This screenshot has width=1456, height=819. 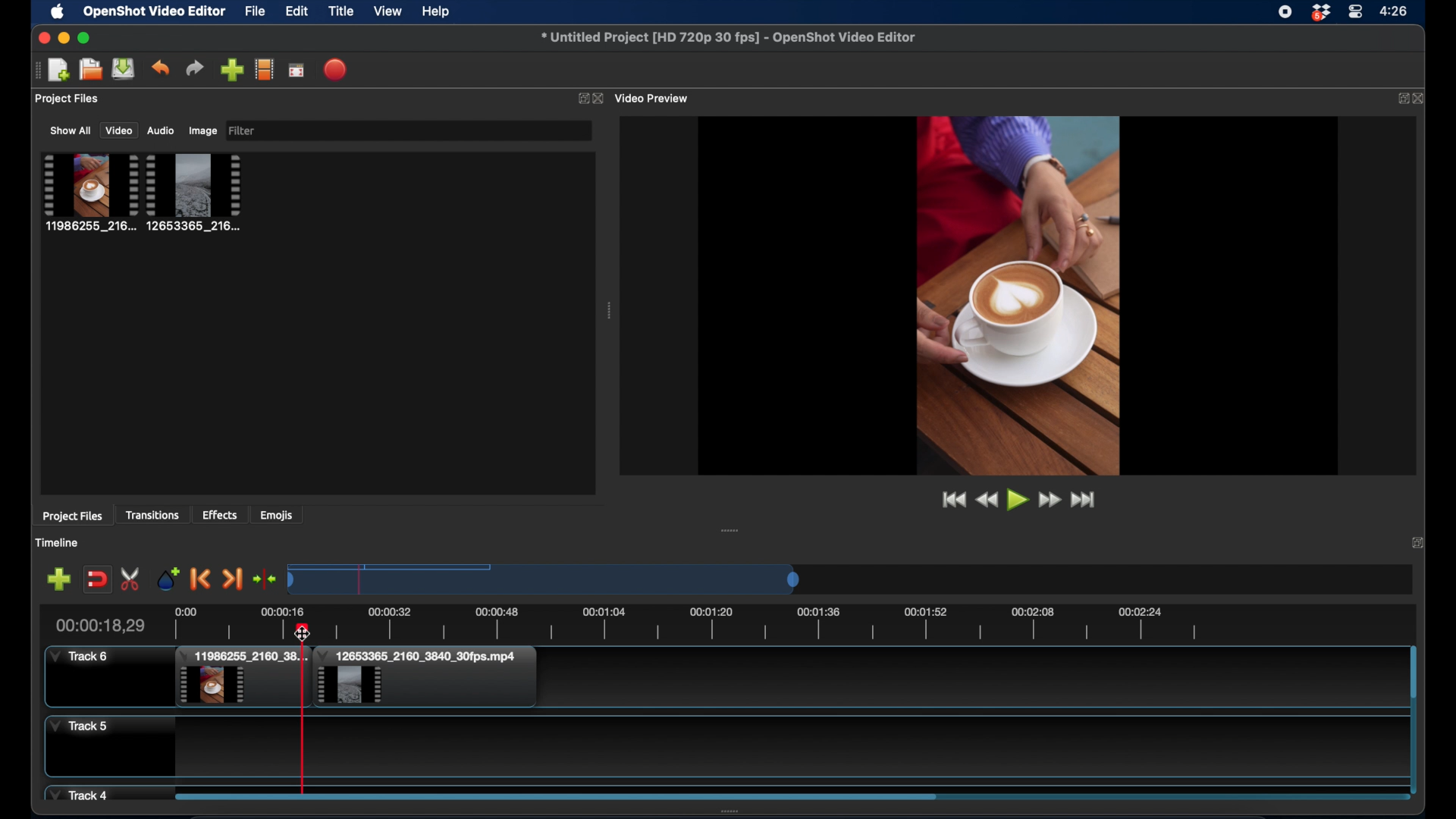 What do you see at coordinates (751, 621) in the screenshot?
I see `timeline` at bounding box center [751, 621].